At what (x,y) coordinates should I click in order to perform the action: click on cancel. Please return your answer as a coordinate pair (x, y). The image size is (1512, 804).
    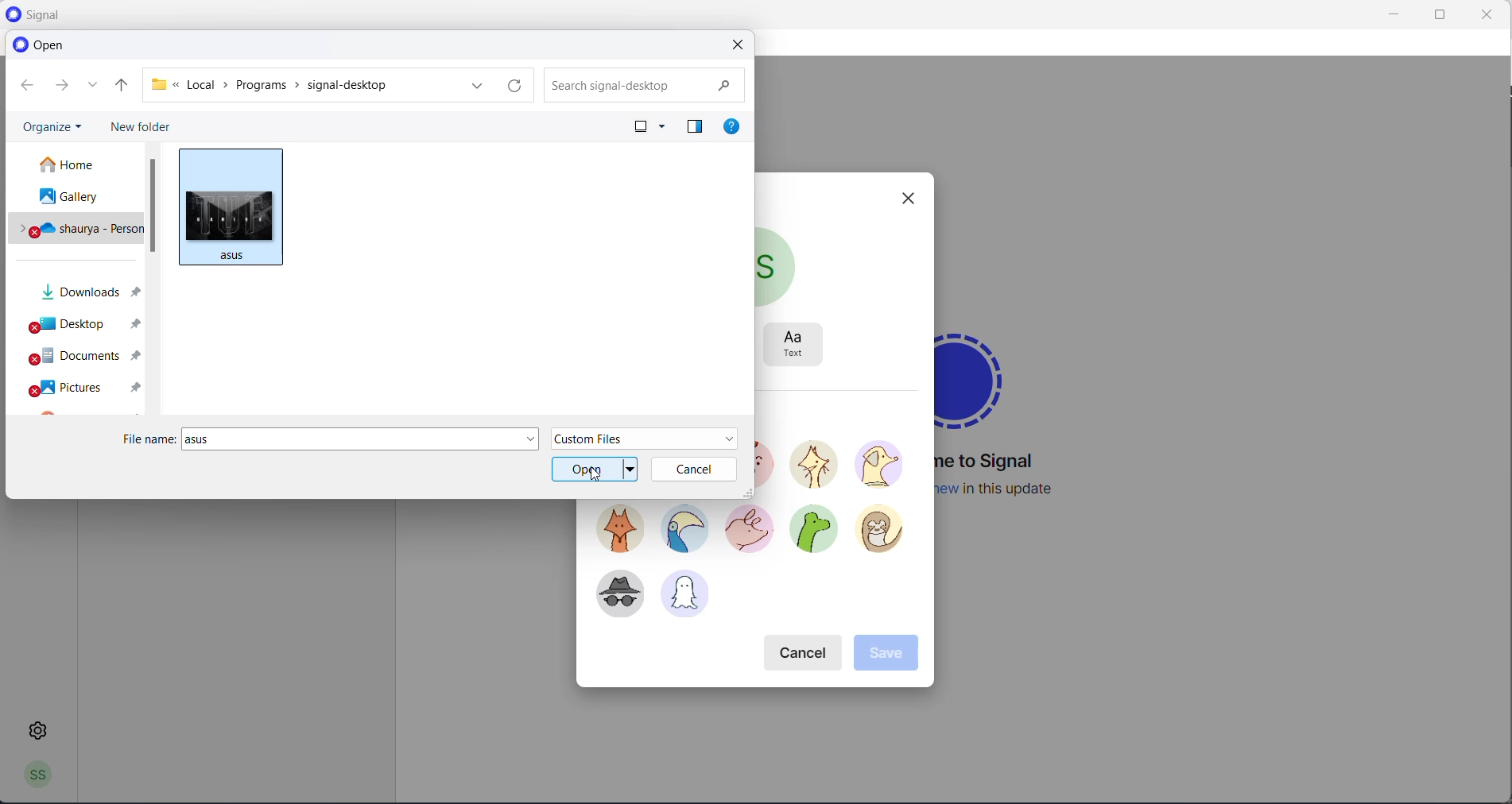
    Looking at the image, I should click on (696, 470).